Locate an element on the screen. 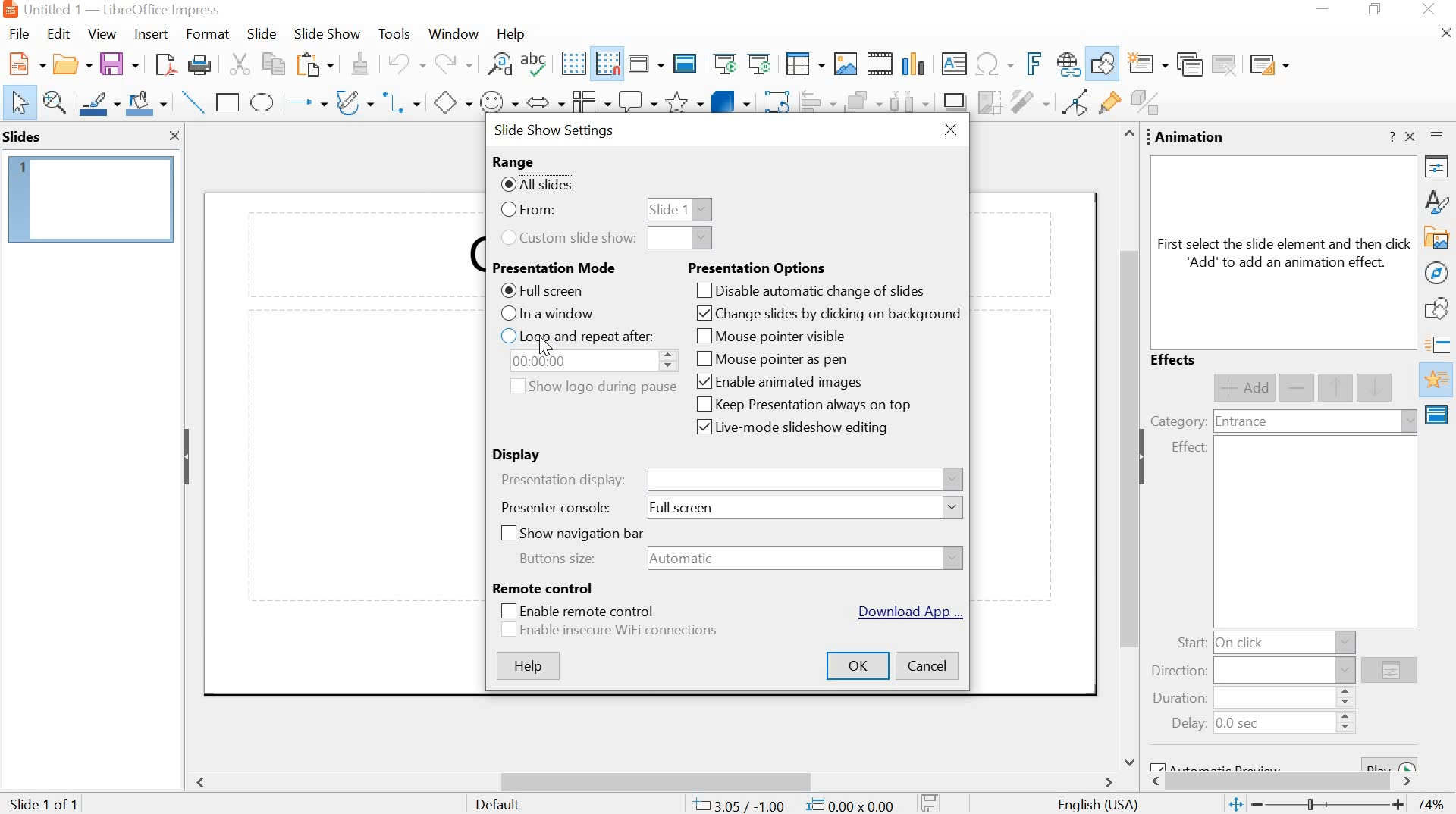 This screenshot has width=1456, height=814. slide 1 of 1 is located at coordinates (47, 802).